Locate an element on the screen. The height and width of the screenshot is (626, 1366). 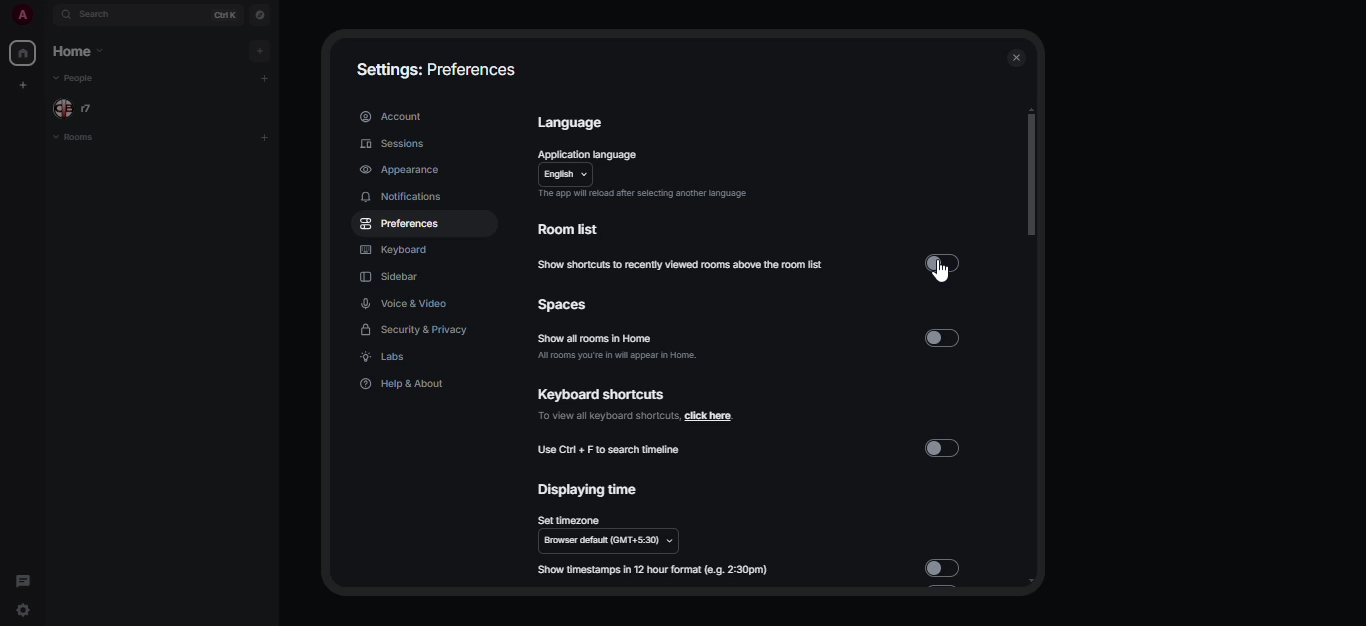
people is located at coordinates (78, 109).